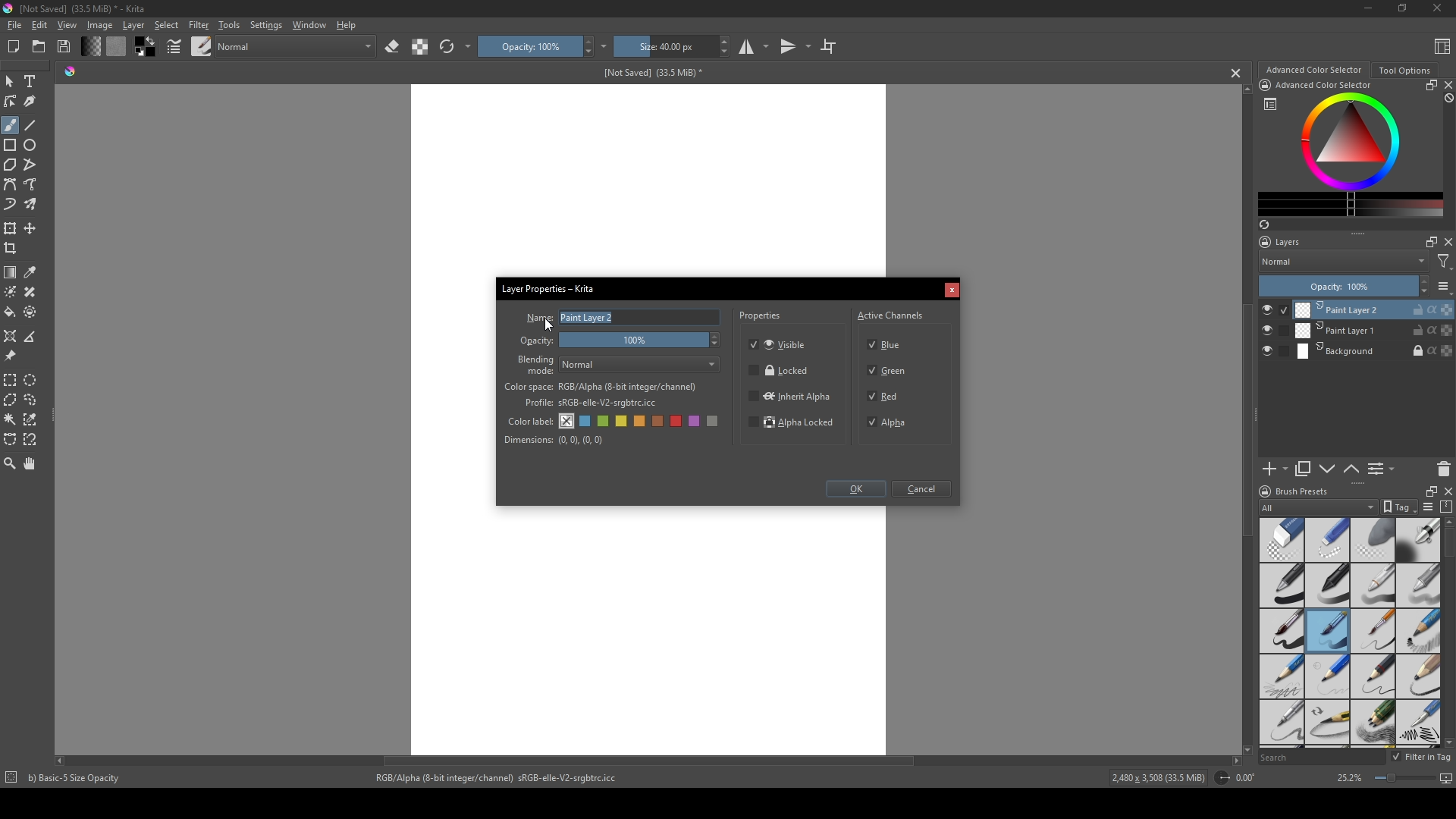 The height and width of the screenshot is (819, 1456). I want to click on Green, so click(889, 372).